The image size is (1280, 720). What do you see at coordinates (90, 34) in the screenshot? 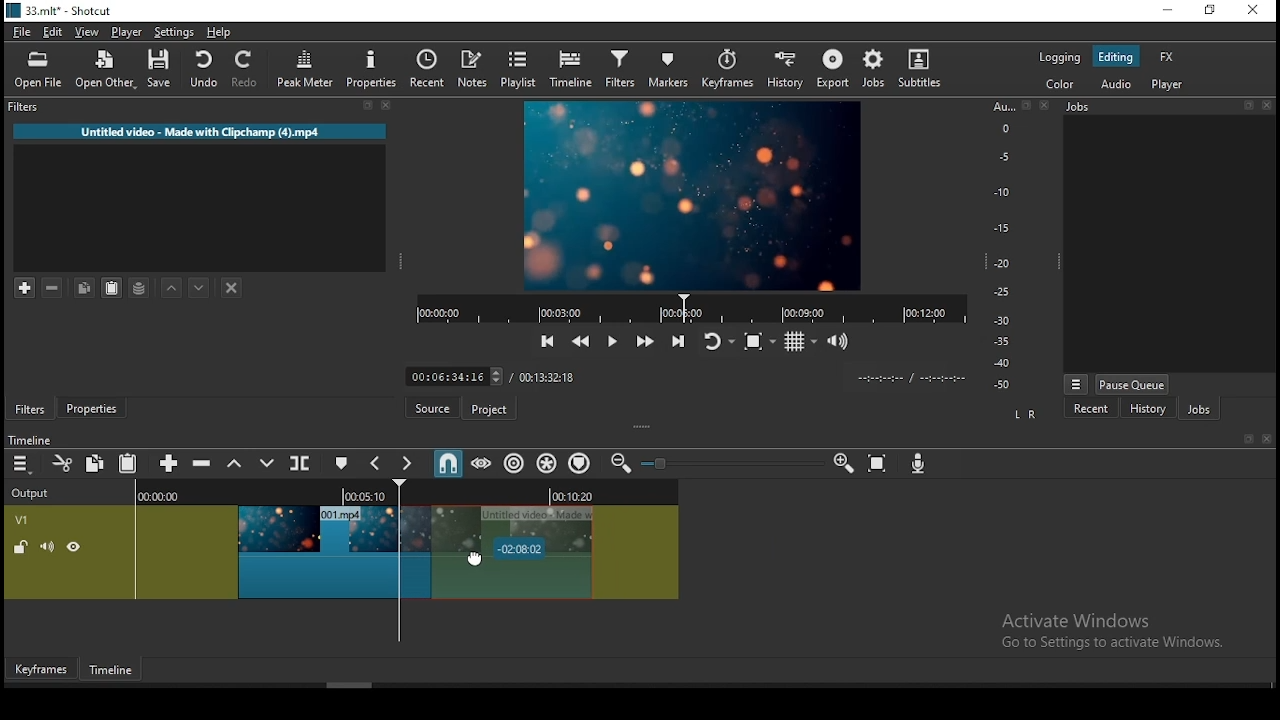
I see `view` at bounding box center [90, 34].